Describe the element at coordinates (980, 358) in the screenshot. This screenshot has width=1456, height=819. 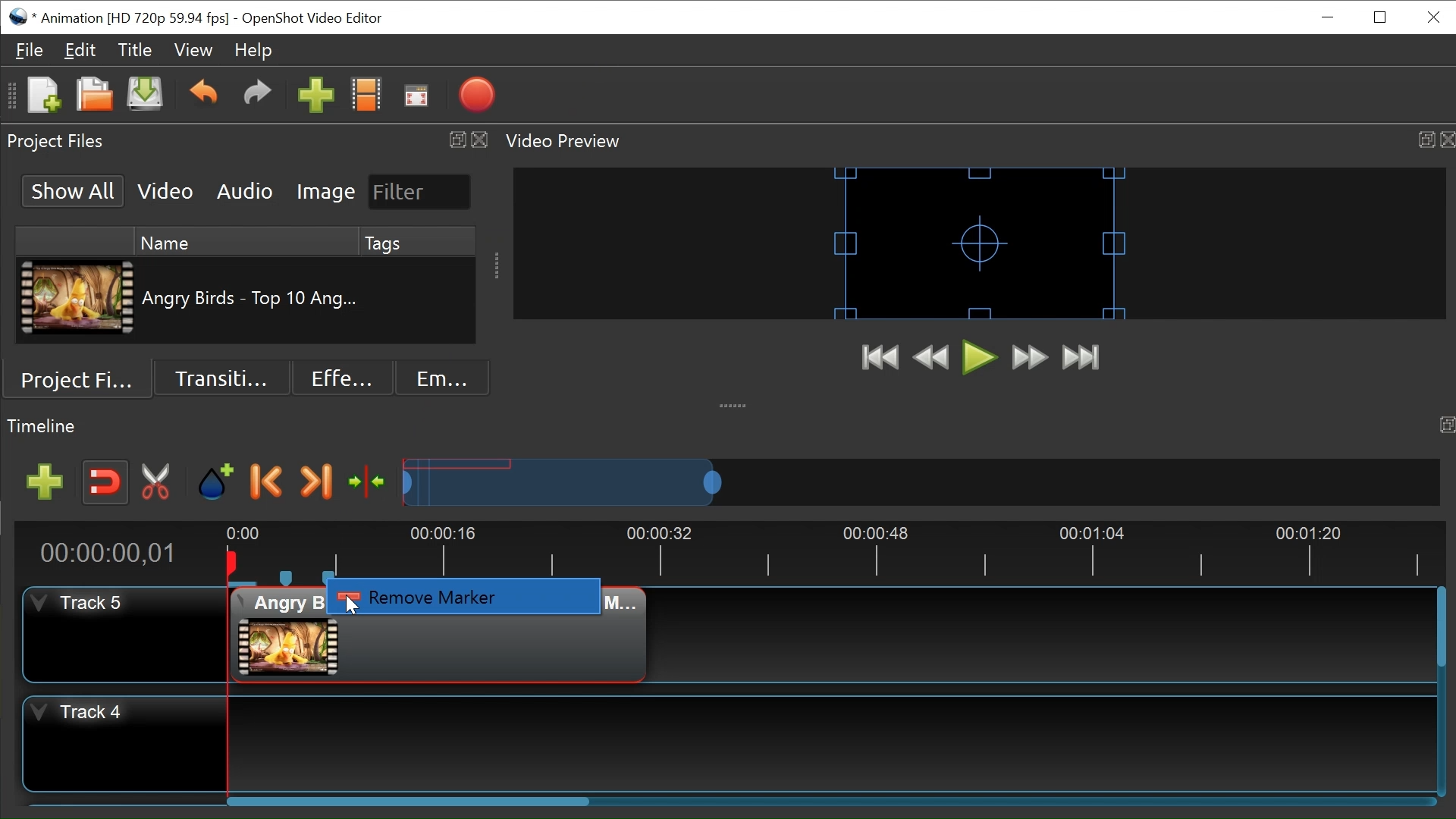
I see `Toggle Pay or pause` at that location.